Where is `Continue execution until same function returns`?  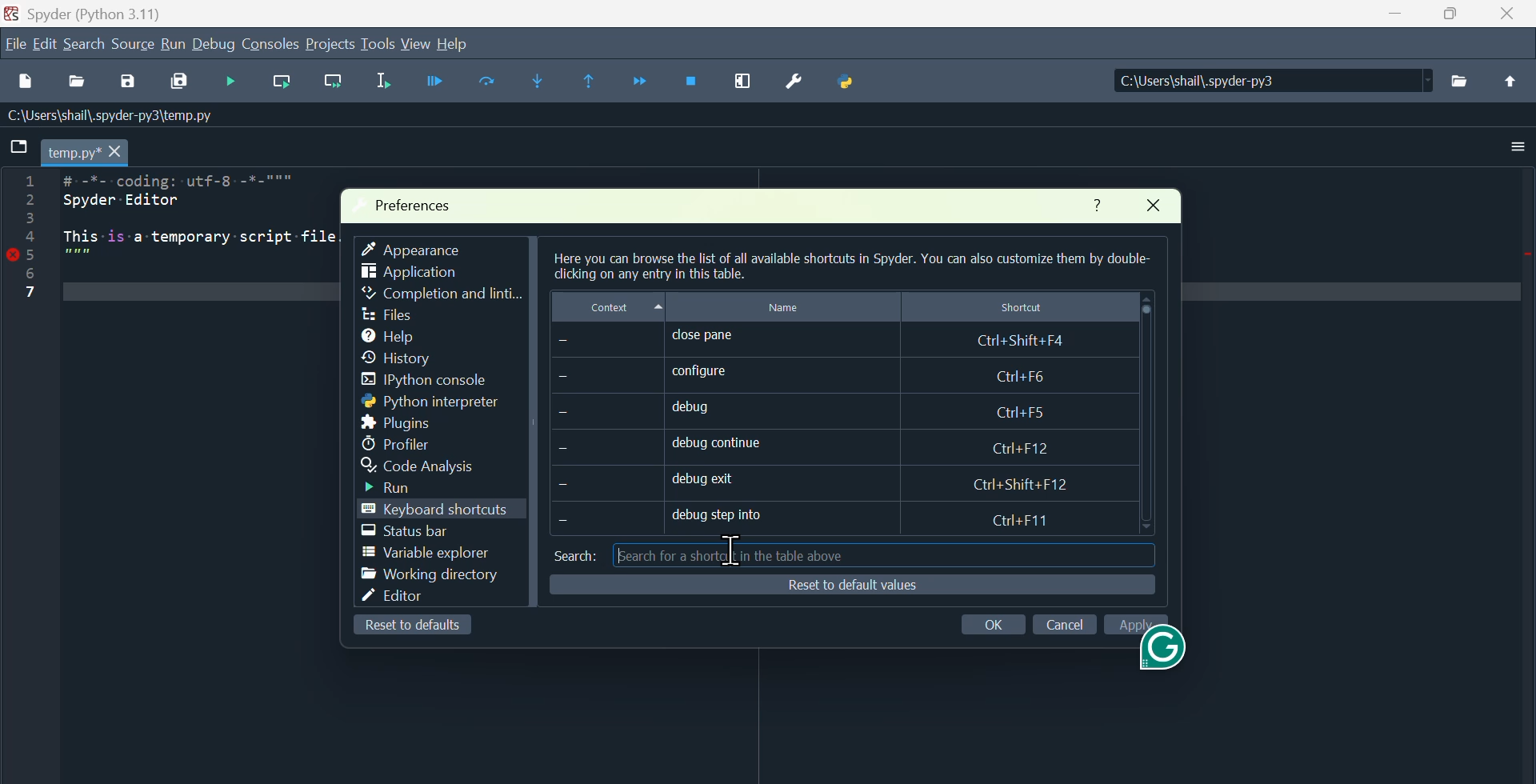
Continue execution until same function returns is located at coordinates (597, 80).